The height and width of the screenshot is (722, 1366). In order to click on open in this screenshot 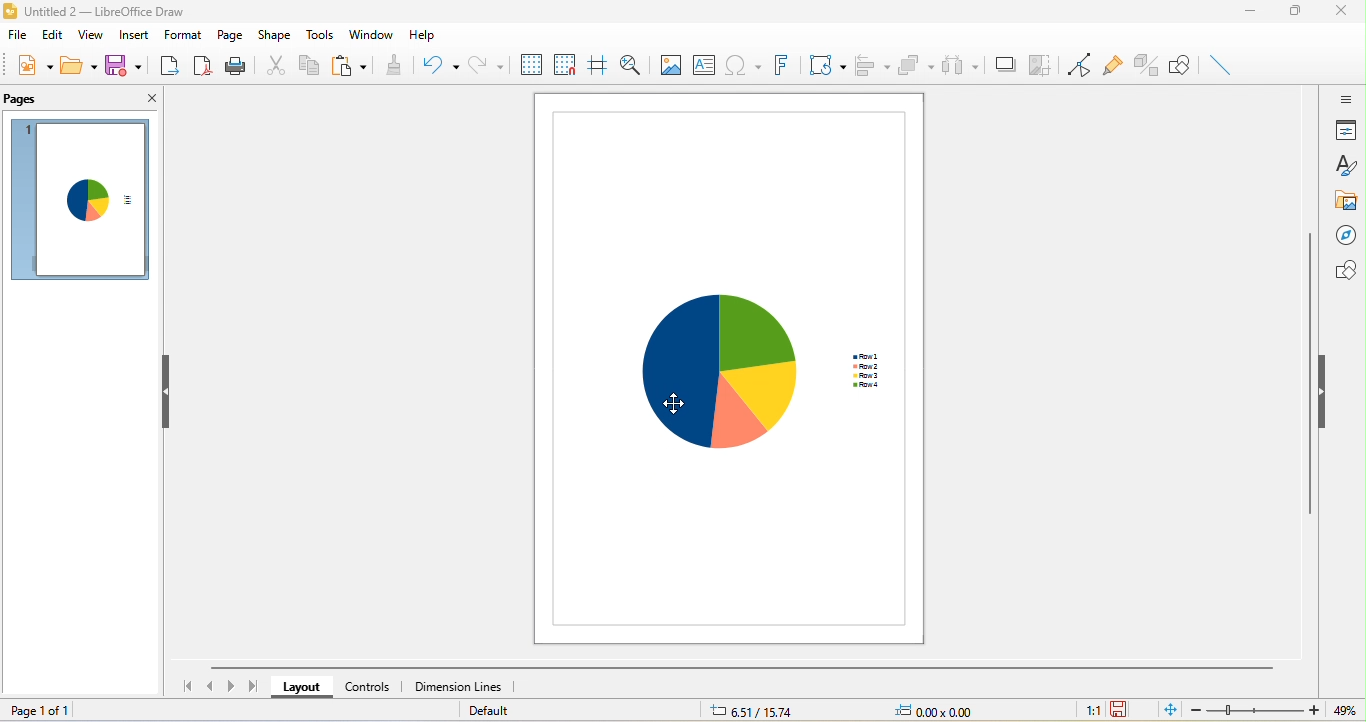, I will do `click(78, 66)`.